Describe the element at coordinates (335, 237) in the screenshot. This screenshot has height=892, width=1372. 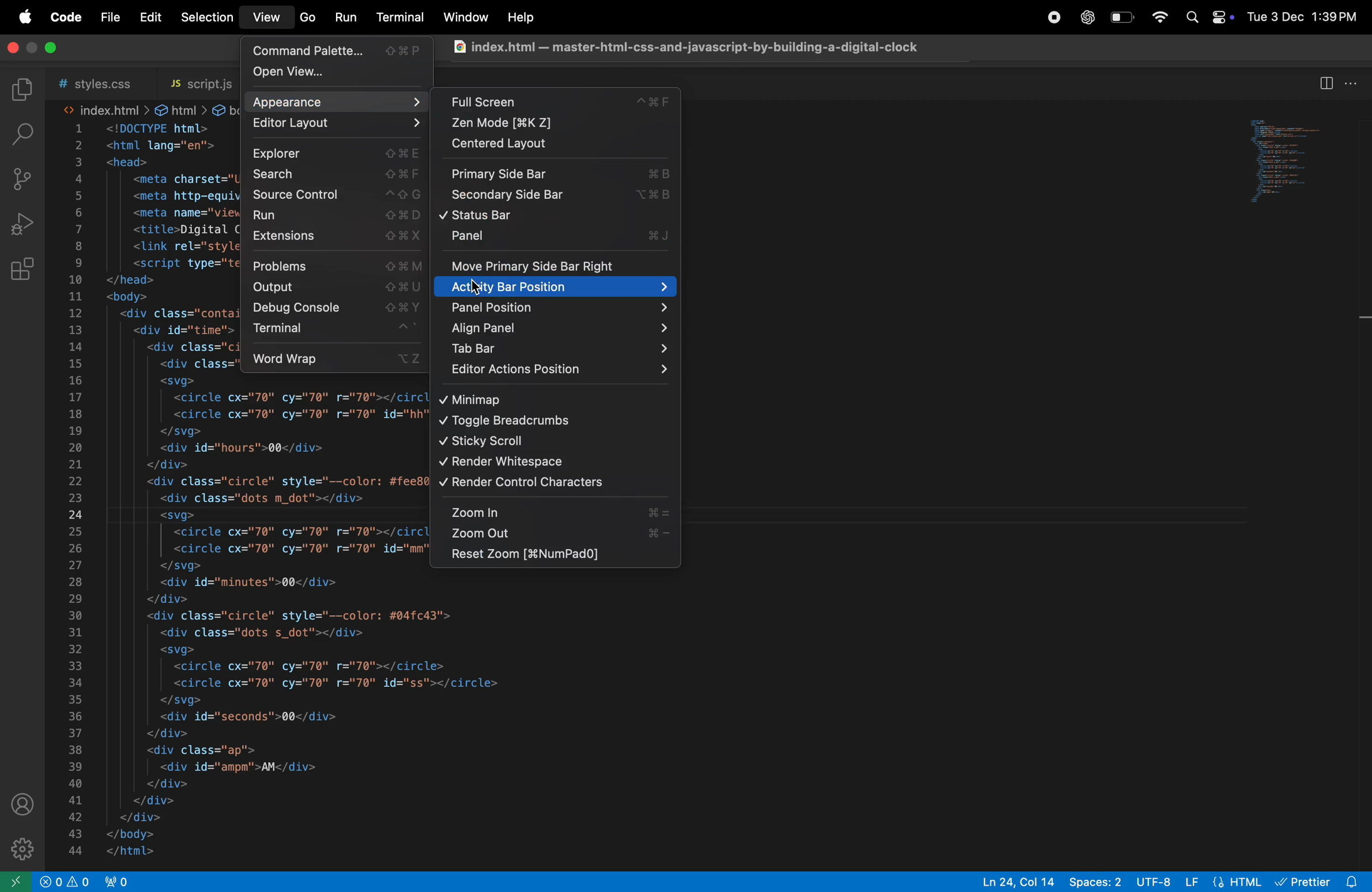
I see `extensions` at that location.